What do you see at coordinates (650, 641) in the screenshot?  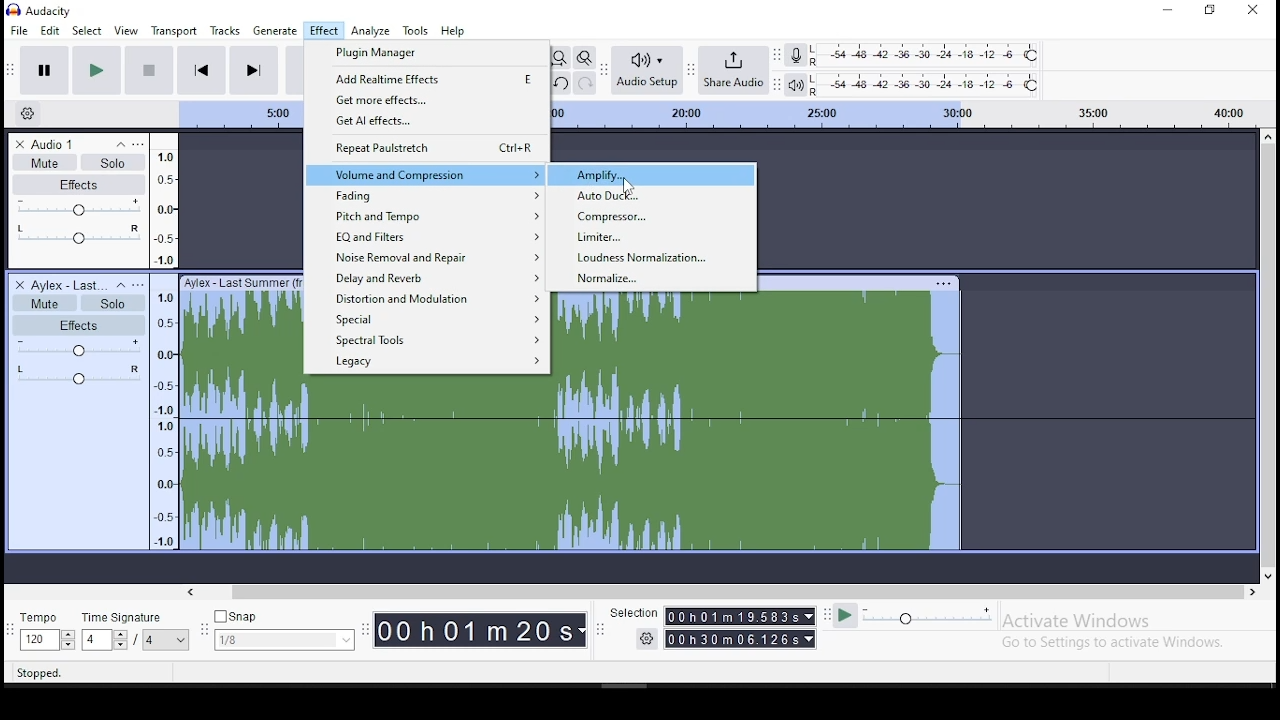 I see `settings` at bounding box center [650, 641].